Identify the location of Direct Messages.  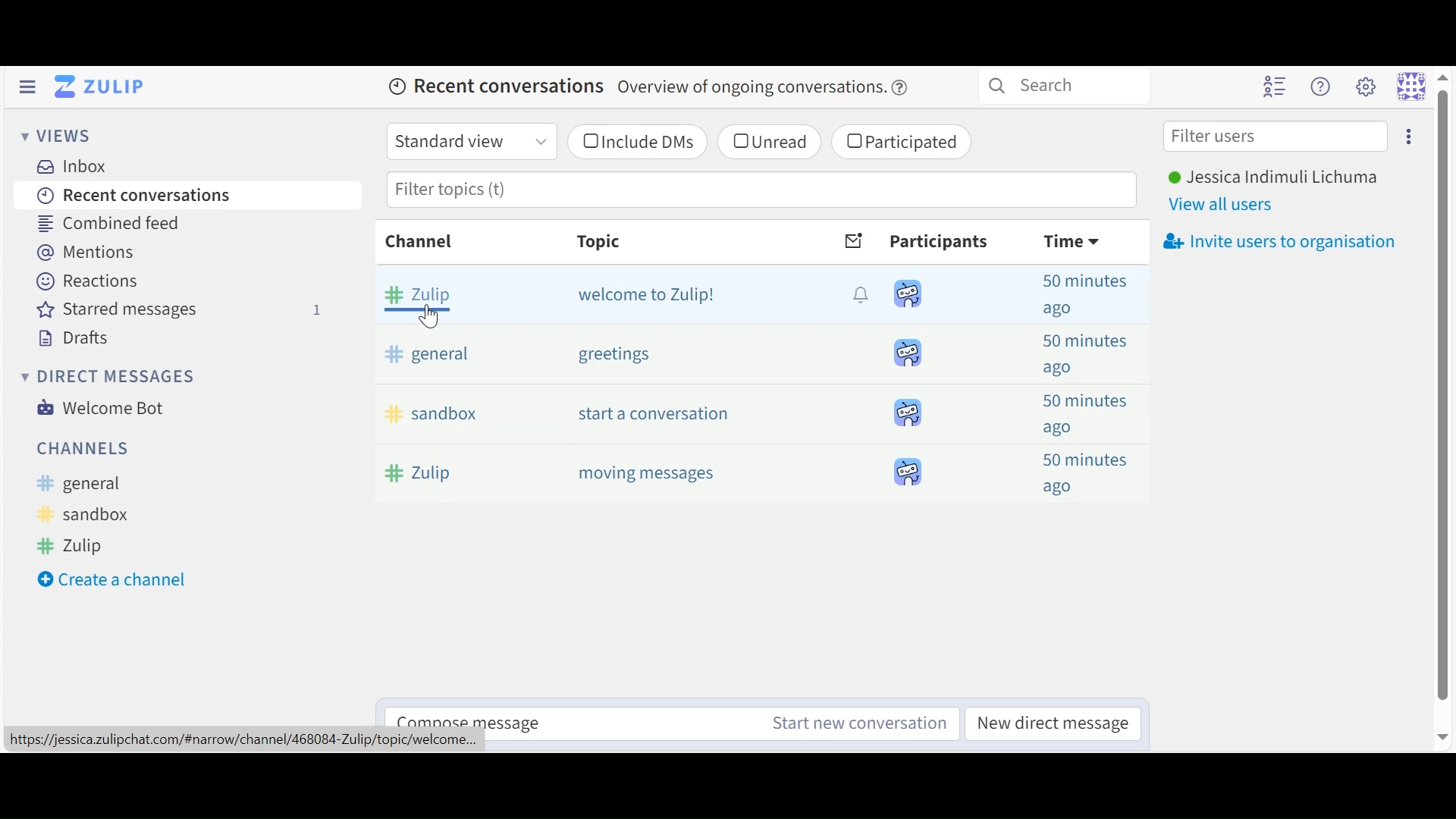
(106, 377).